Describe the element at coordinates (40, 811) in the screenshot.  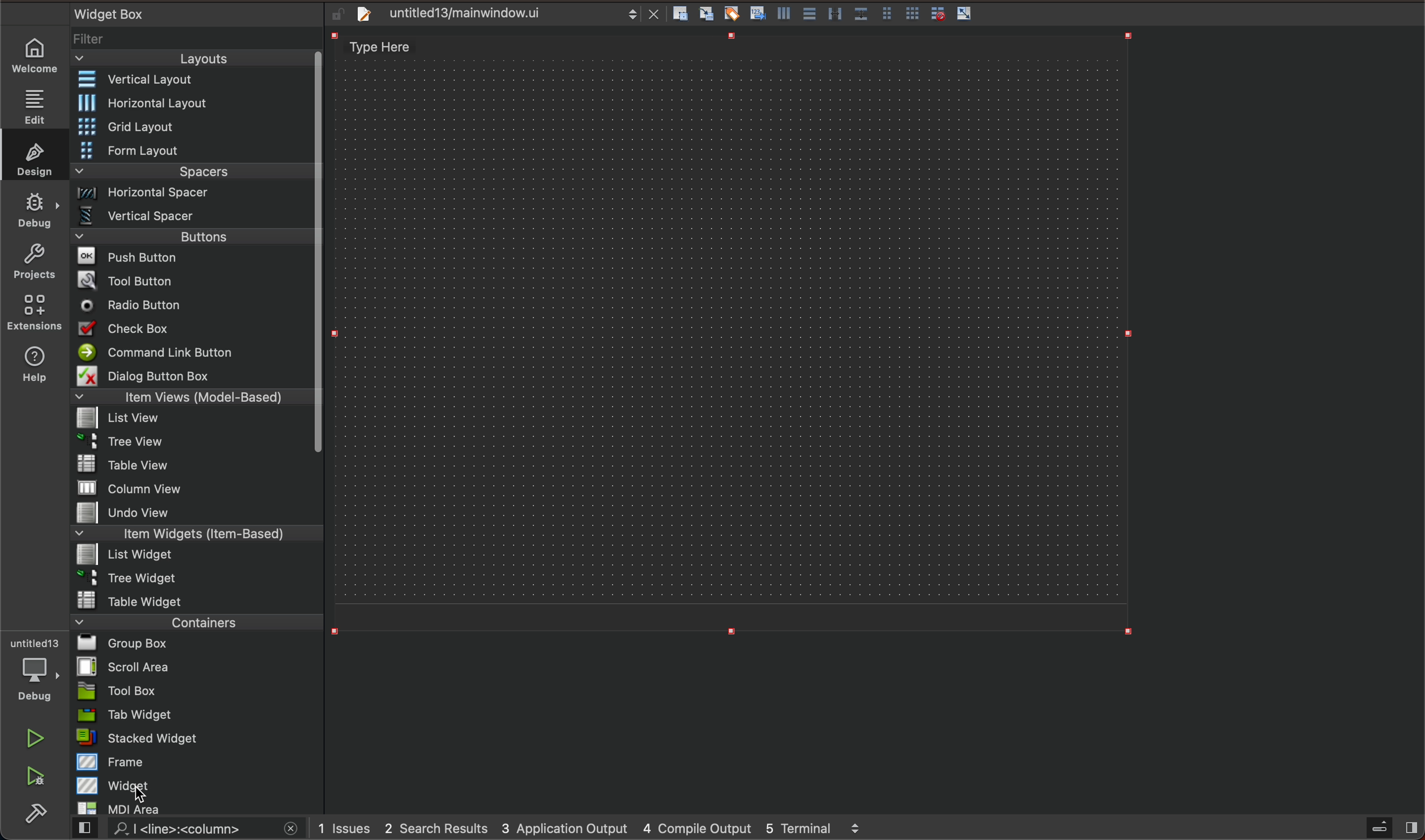
I see `build` at that location.